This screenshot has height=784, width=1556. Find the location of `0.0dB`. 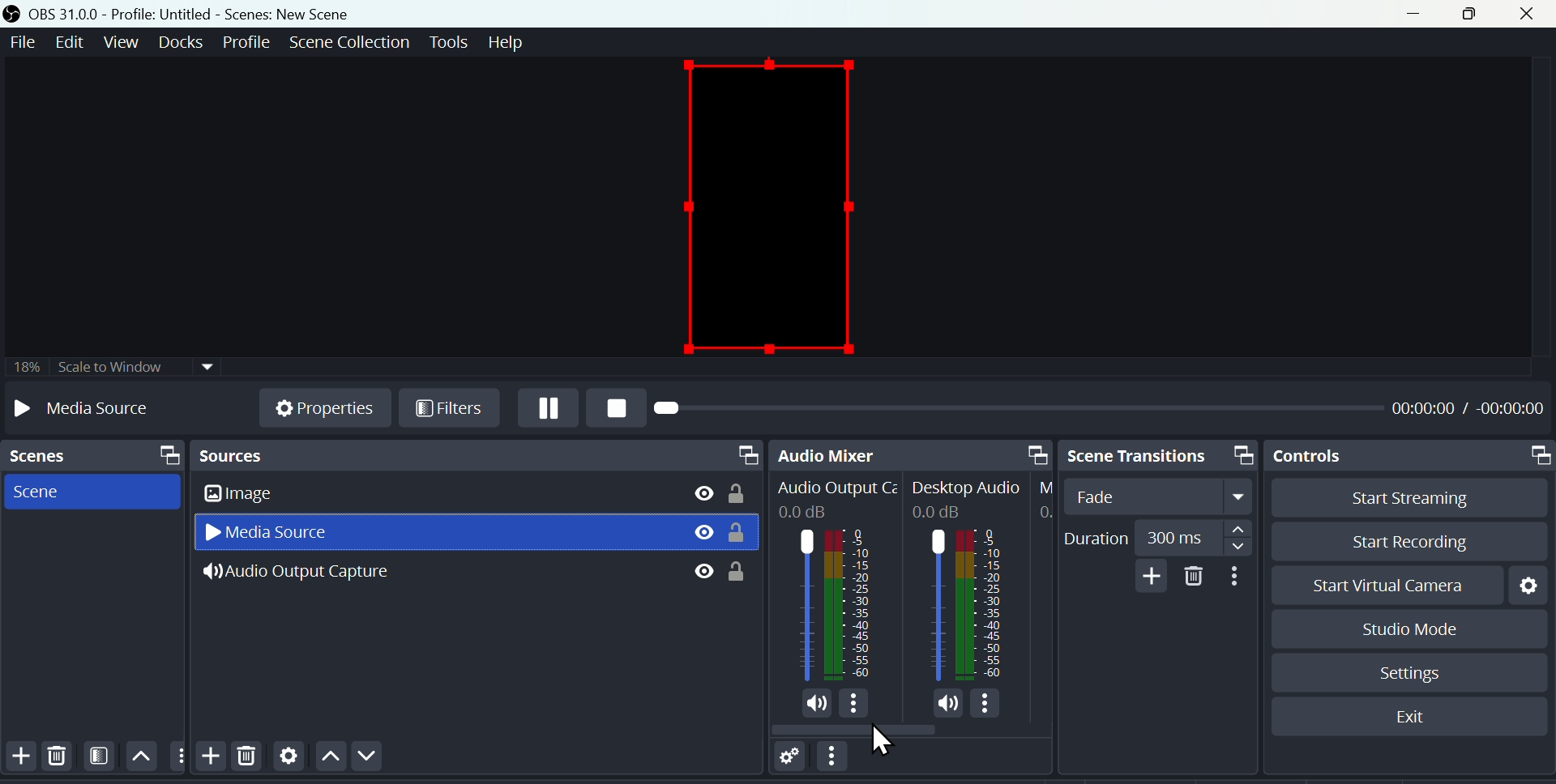

0.0dB is located at coordinates (806, 513).